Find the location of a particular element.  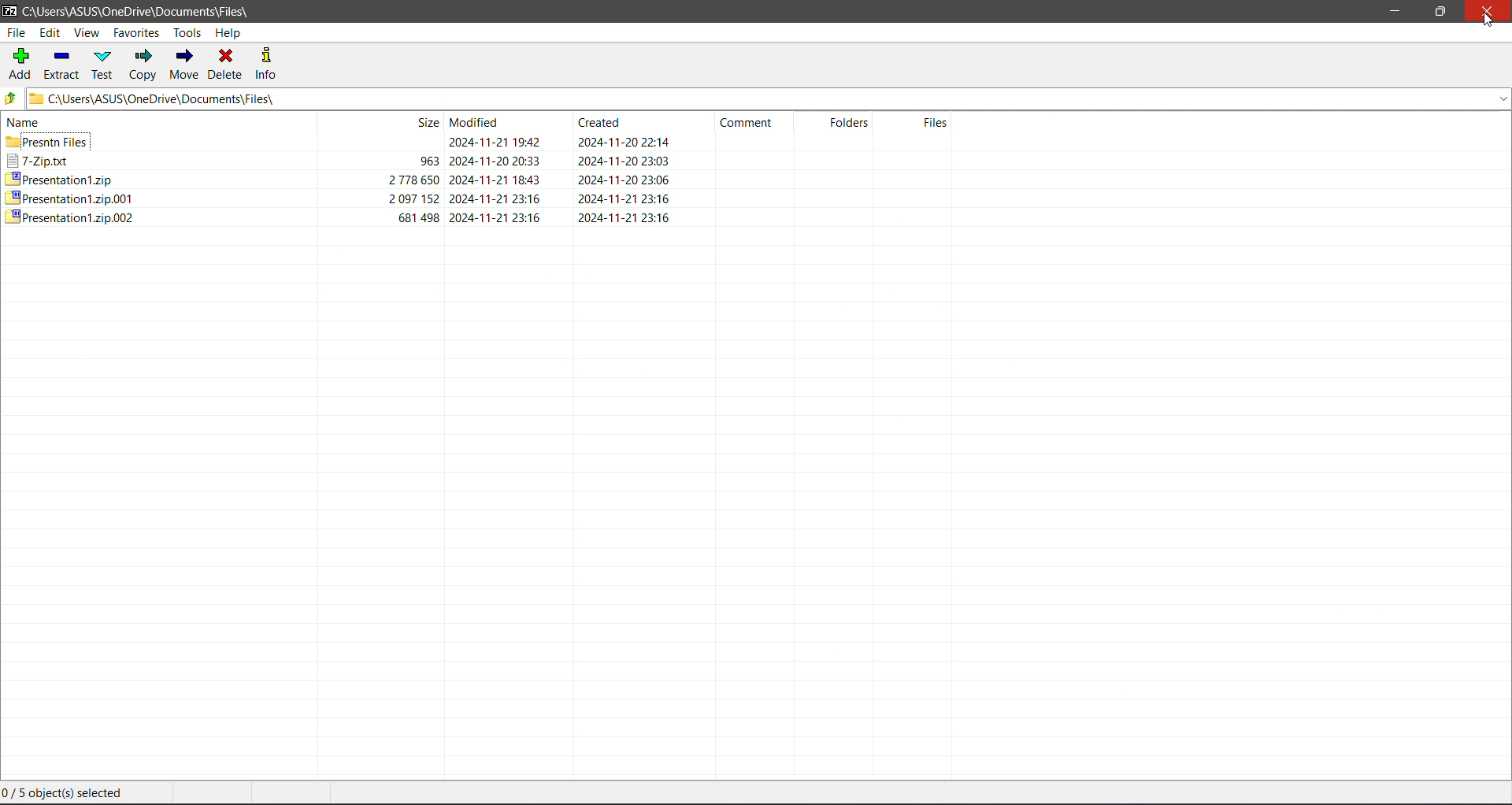

View is located at coordinates (91, 34).